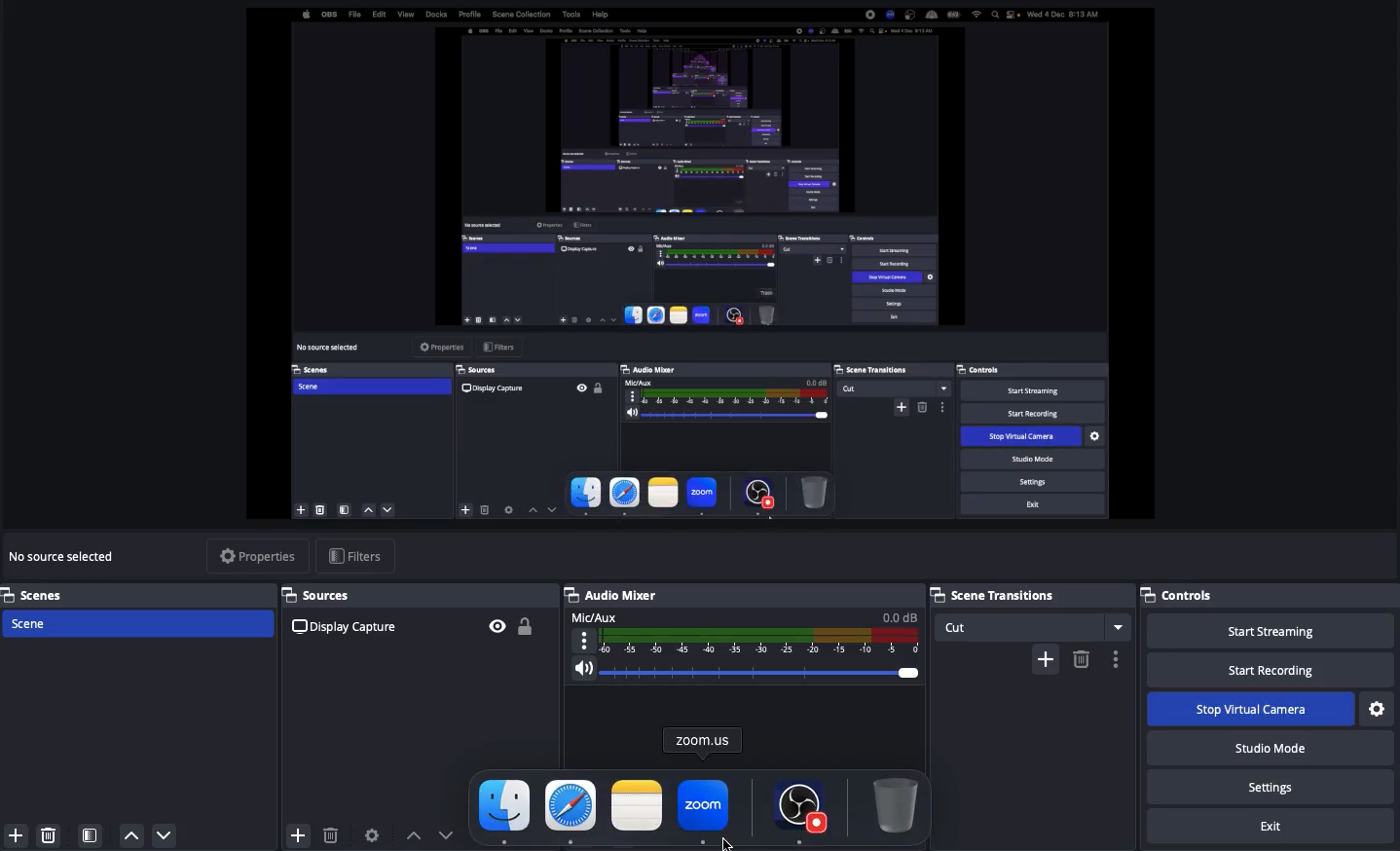 This screenshot has width=1400, height=851. Describe the element at coordinates (800, 807) in the screenshot. I see `OBS` at that location.